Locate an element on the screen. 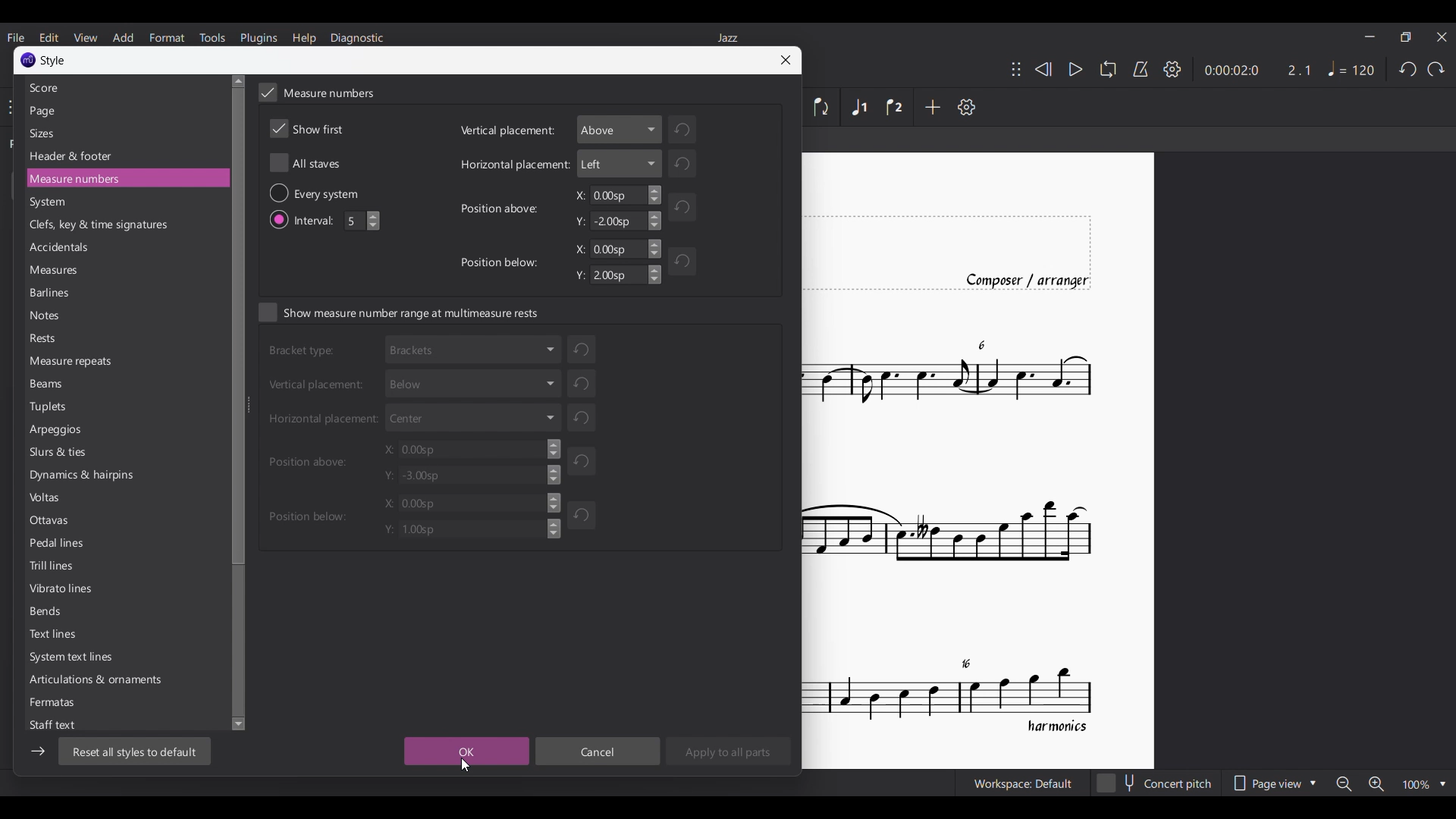 This screenshot has width=1456, height=819. y is located at coordinates (473, 477).